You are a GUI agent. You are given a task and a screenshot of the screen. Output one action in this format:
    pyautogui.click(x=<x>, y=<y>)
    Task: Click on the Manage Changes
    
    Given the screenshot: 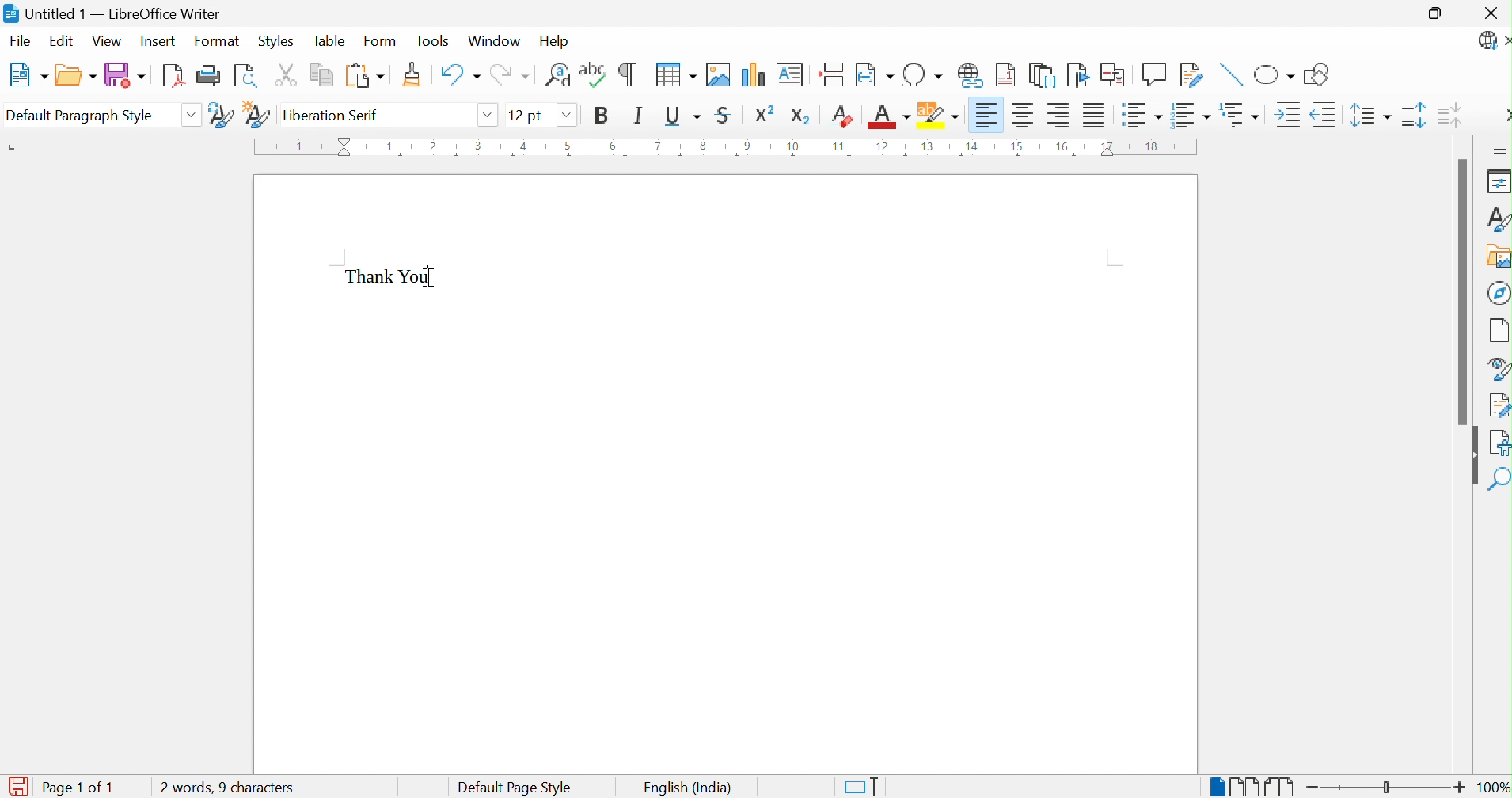 What is the action you would take?
    pyautogui.click(x=1497, y=405)
    